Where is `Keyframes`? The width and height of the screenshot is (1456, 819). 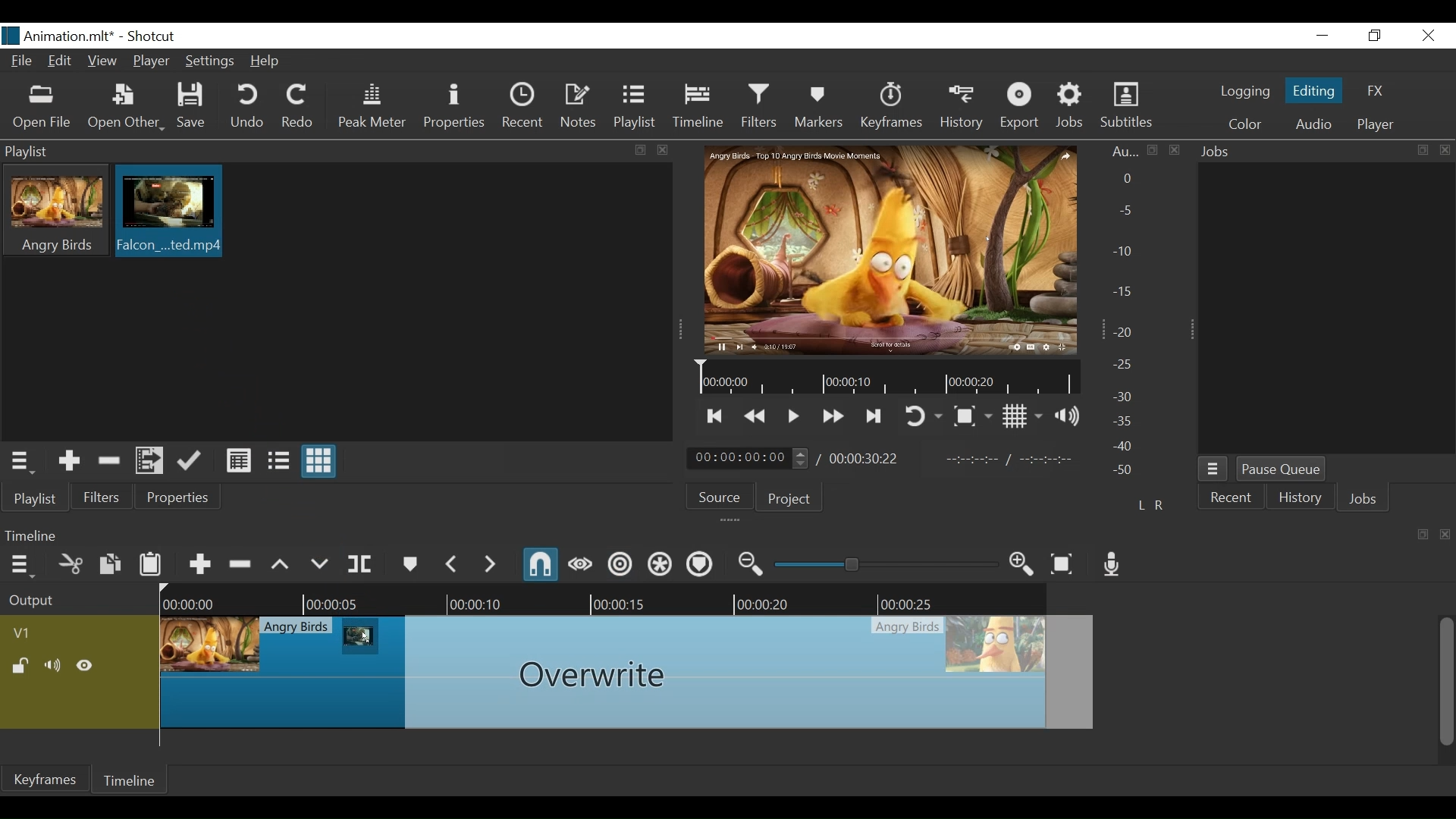
Keyframes is located at coordinates (891, 108).